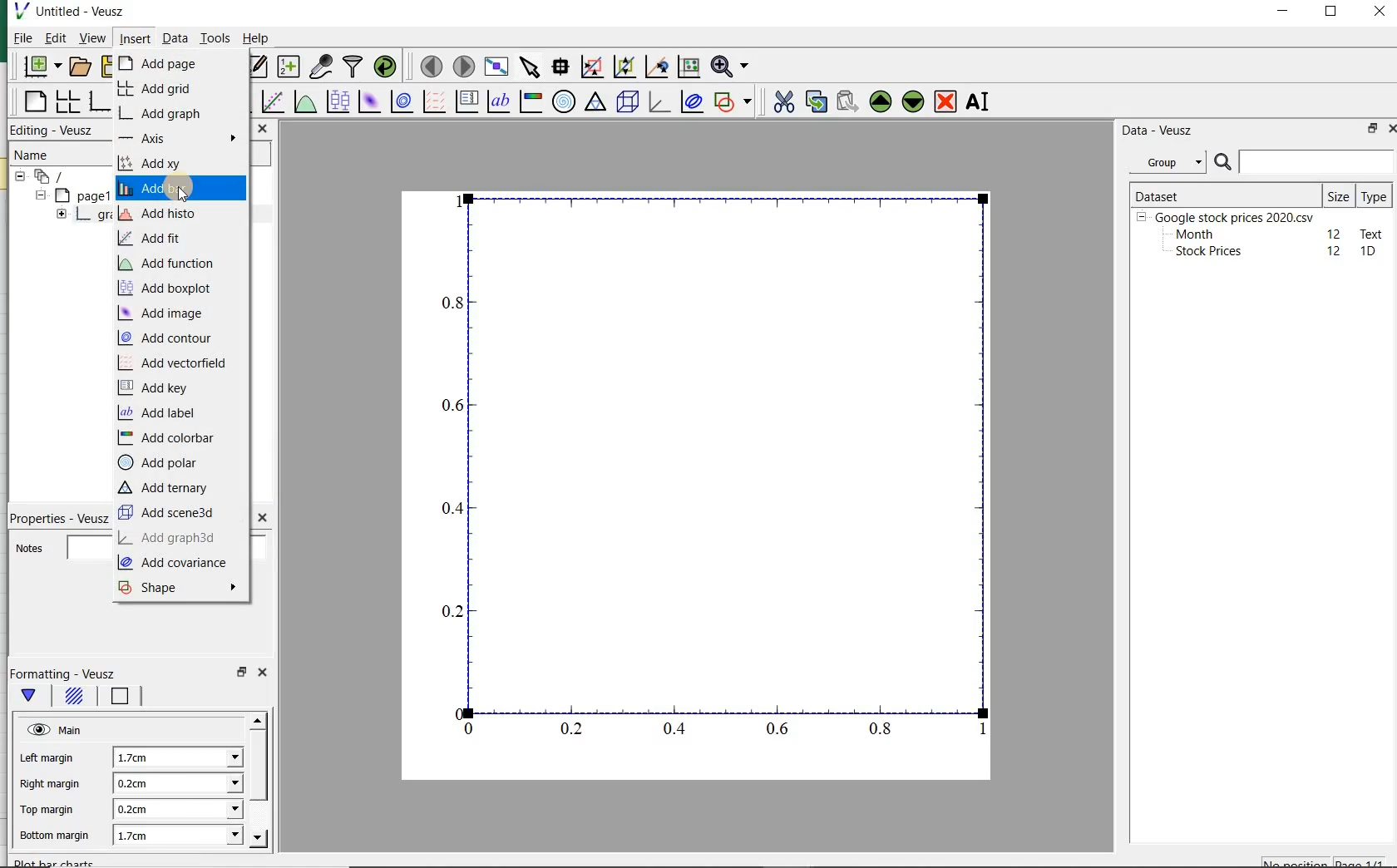 This screenshot has width=1397, height=868. I want to click on move the selected widget down, so click(913, 101).